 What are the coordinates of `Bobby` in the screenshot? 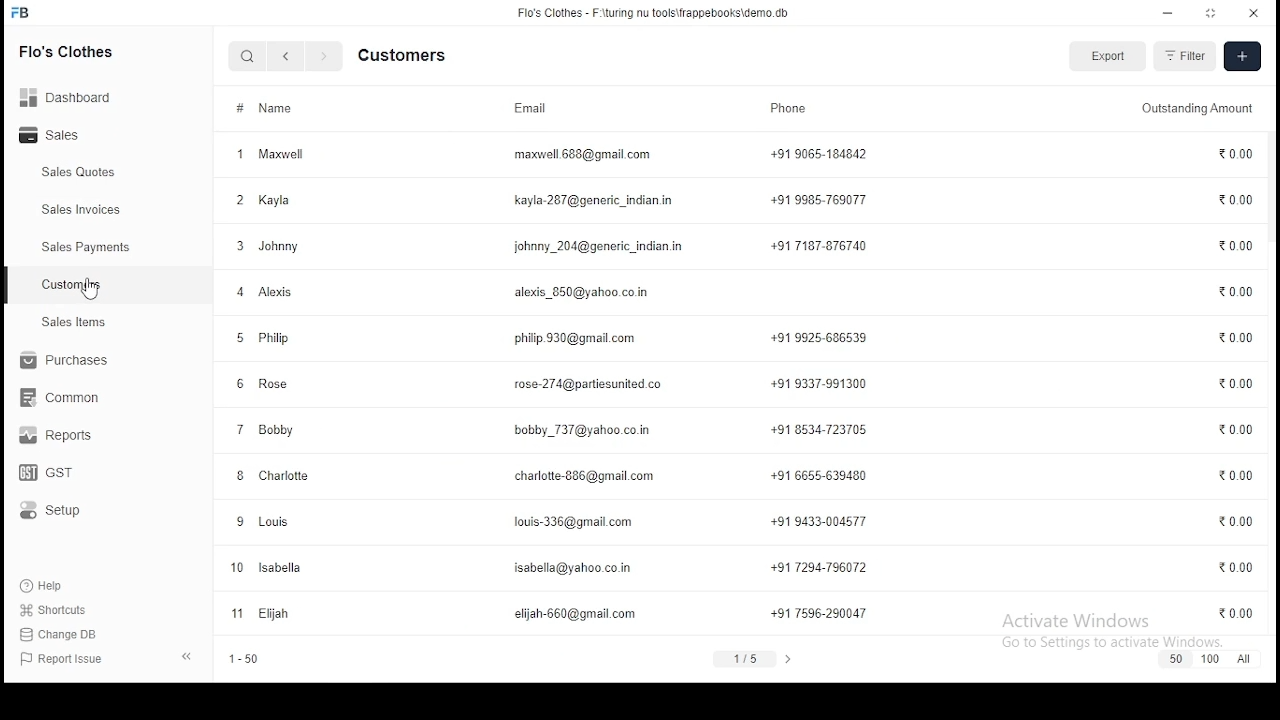 It's located at (276, 431).